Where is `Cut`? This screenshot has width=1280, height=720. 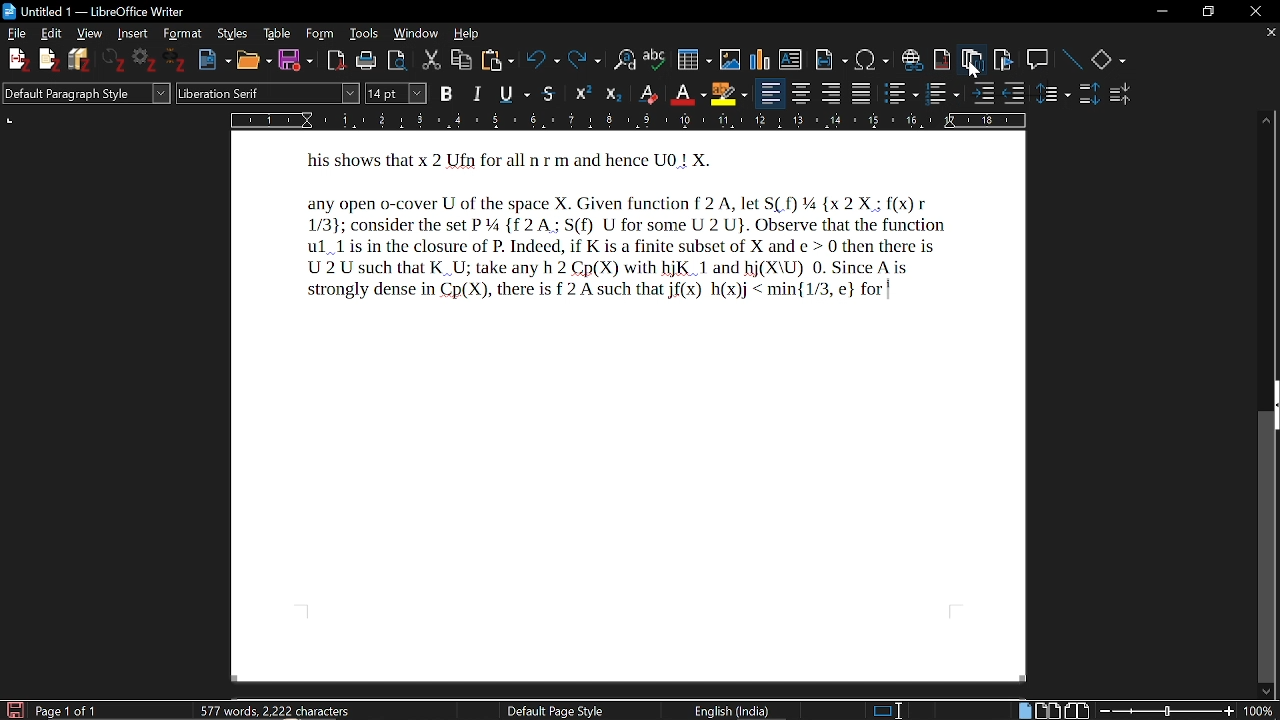
Cut is located at coordinates (430, 61).